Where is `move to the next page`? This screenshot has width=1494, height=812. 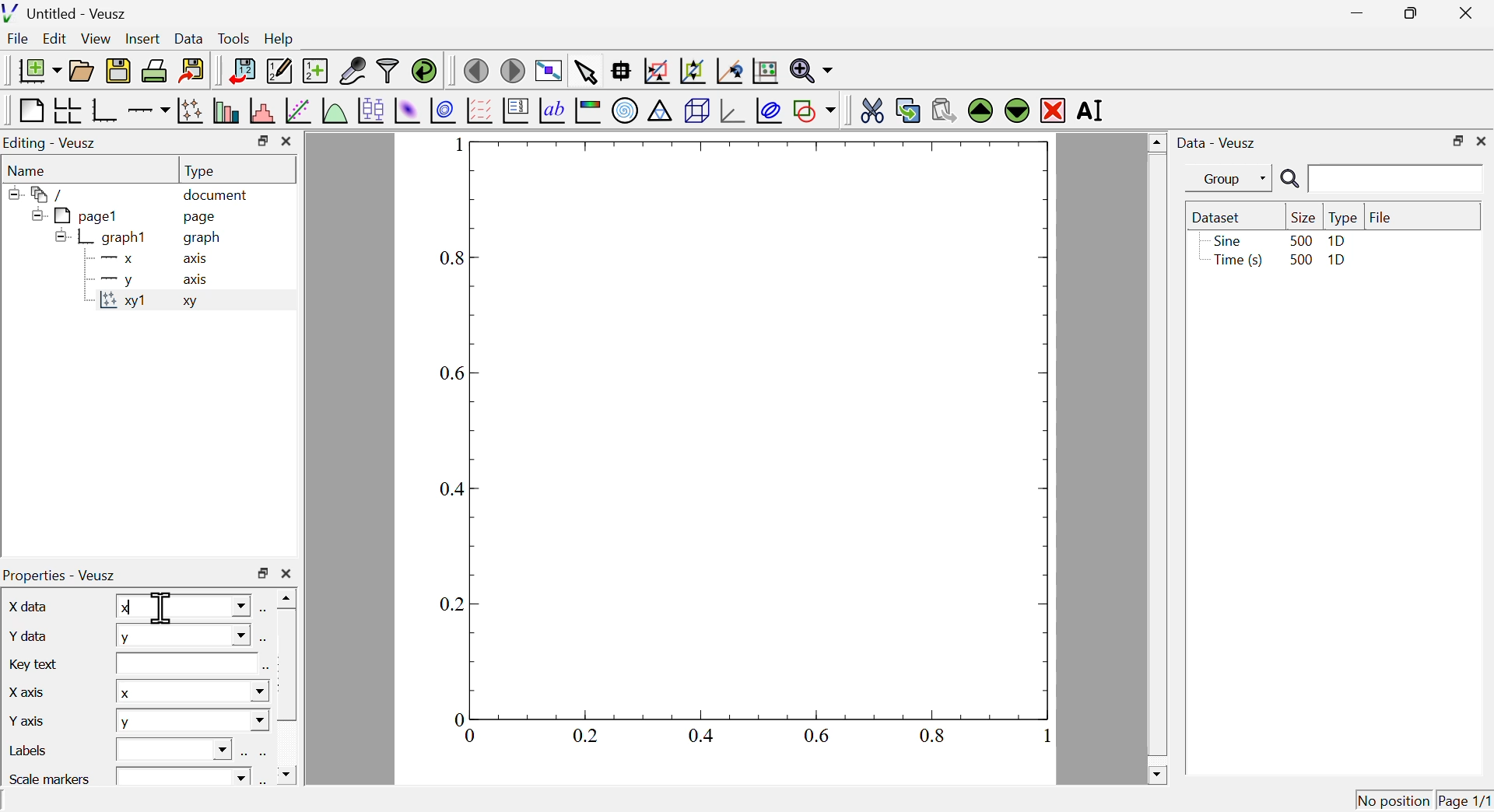
move to the next page is located at coordinates (515, 70).